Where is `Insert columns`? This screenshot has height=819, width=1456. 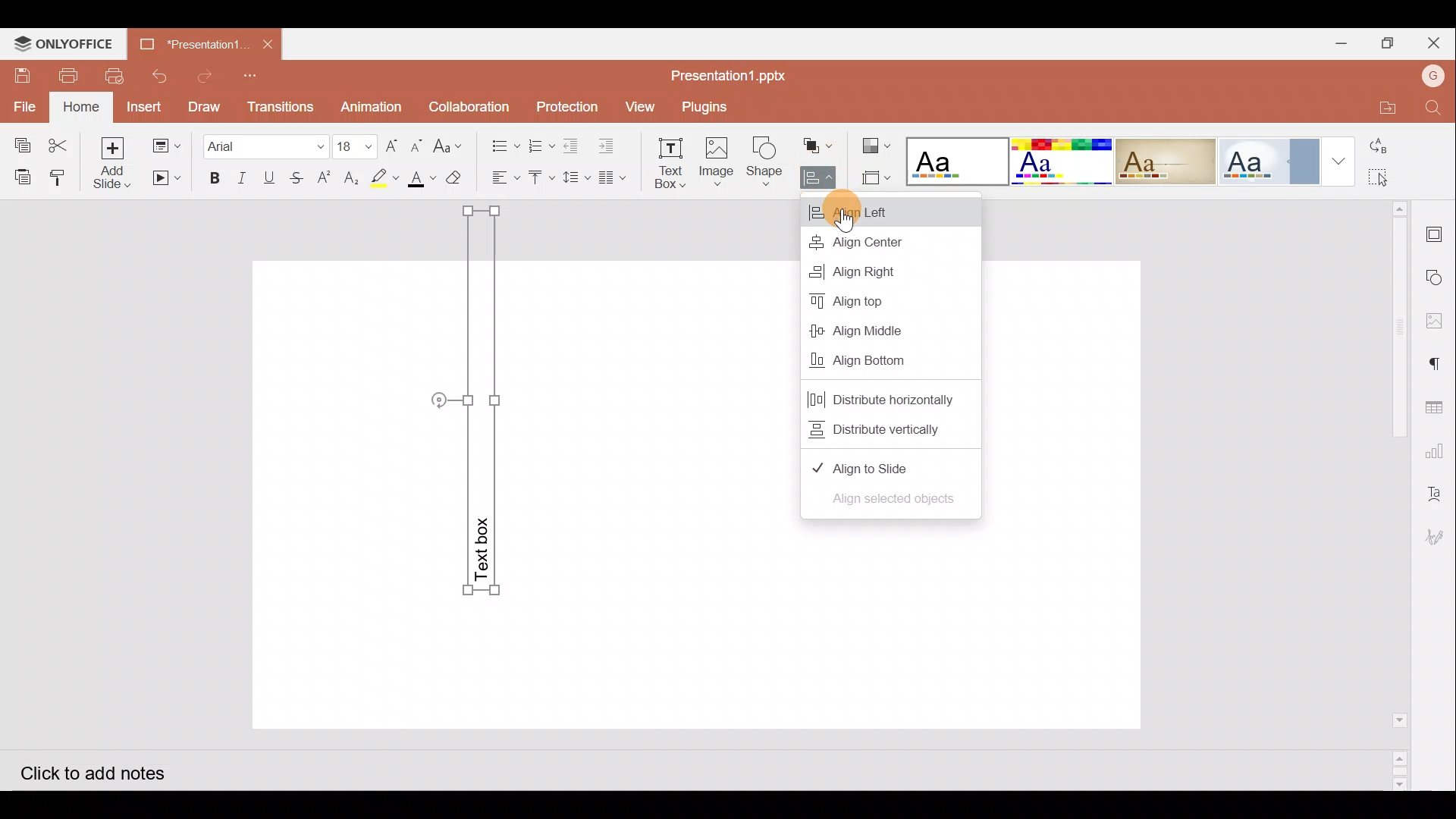 Insert columns is located at coordinates (617, 175).